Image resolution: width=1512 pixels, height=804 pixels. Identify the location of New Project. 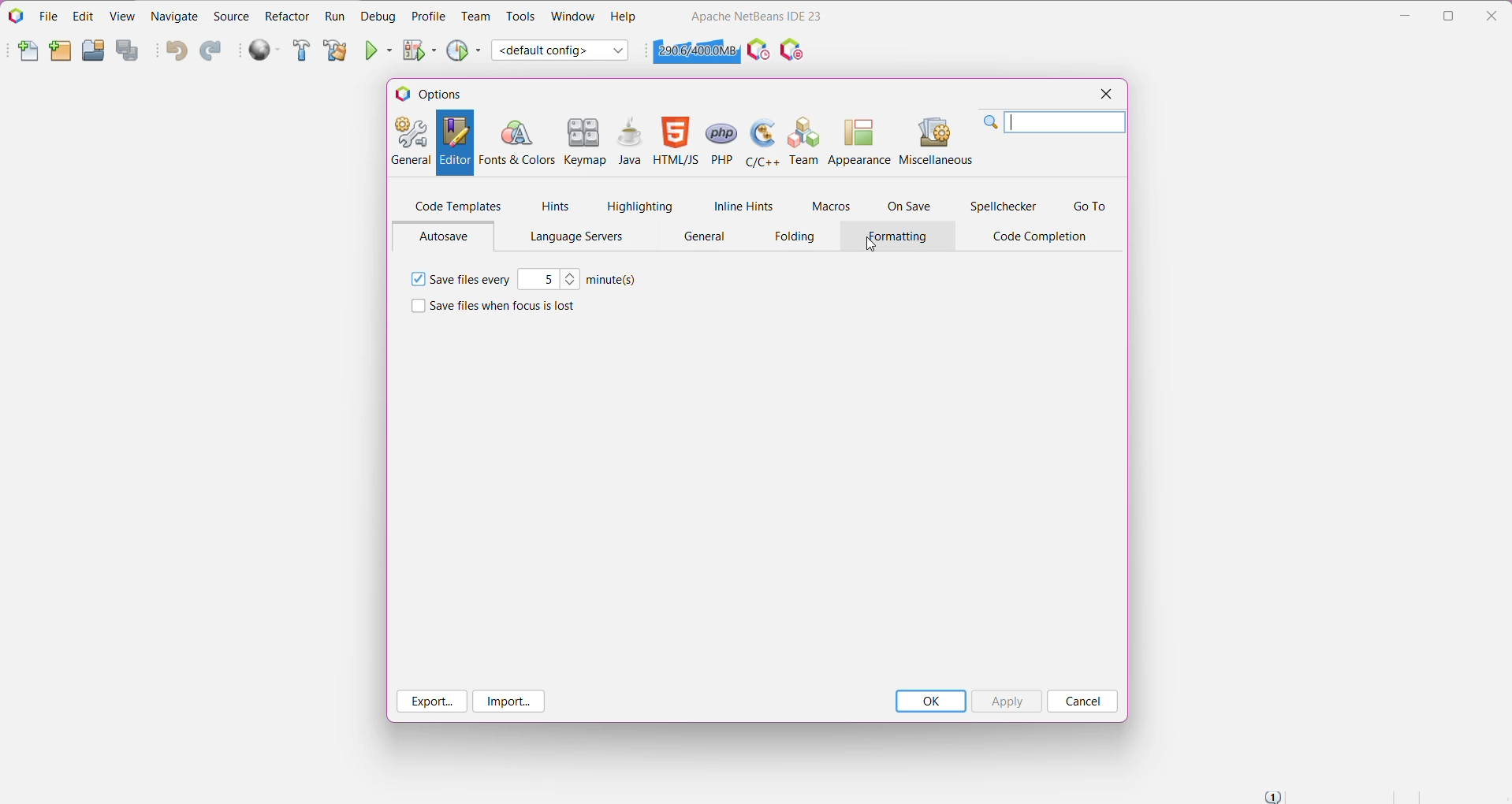
(60, 52).